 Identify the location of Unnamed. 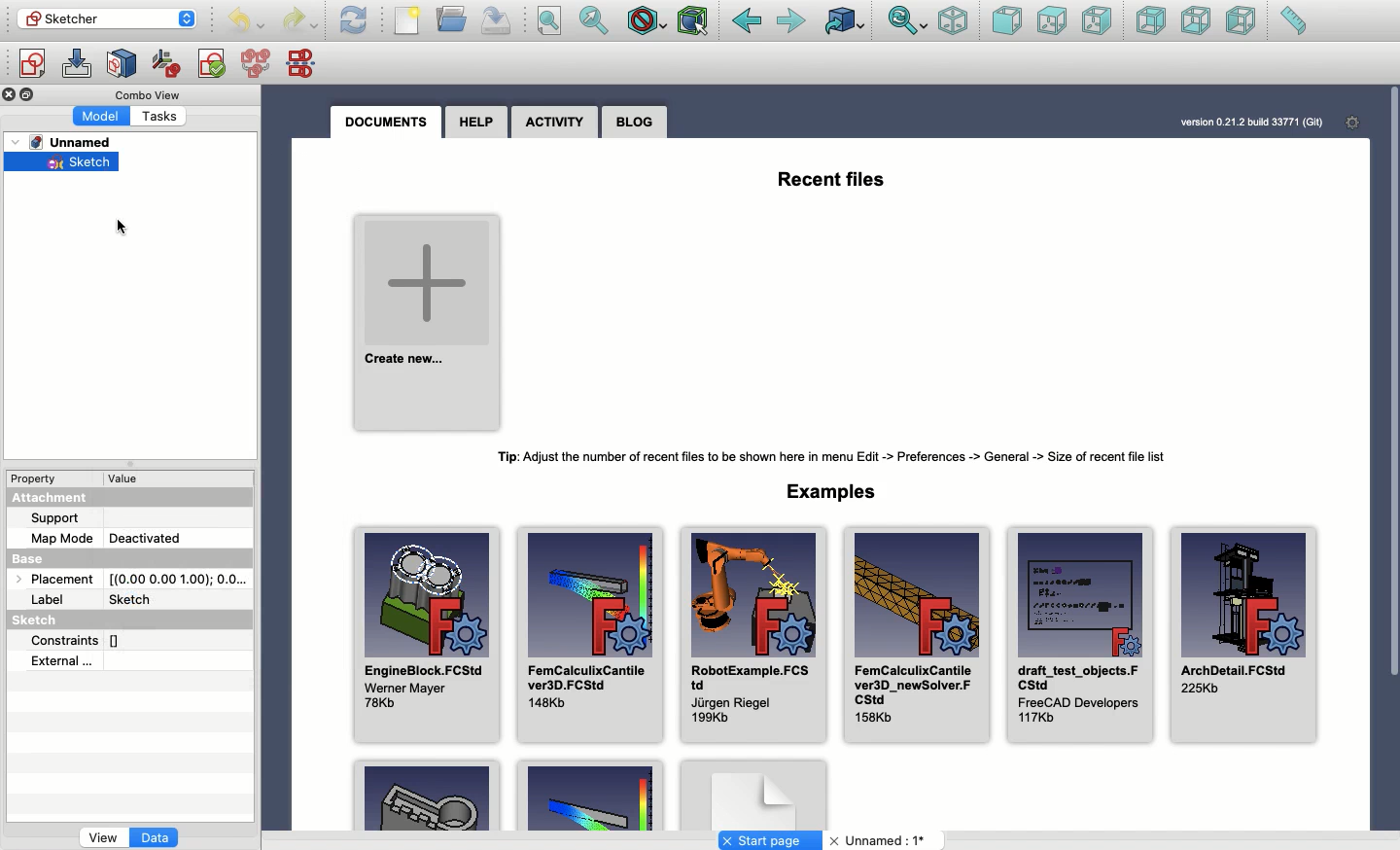
(881, 841).